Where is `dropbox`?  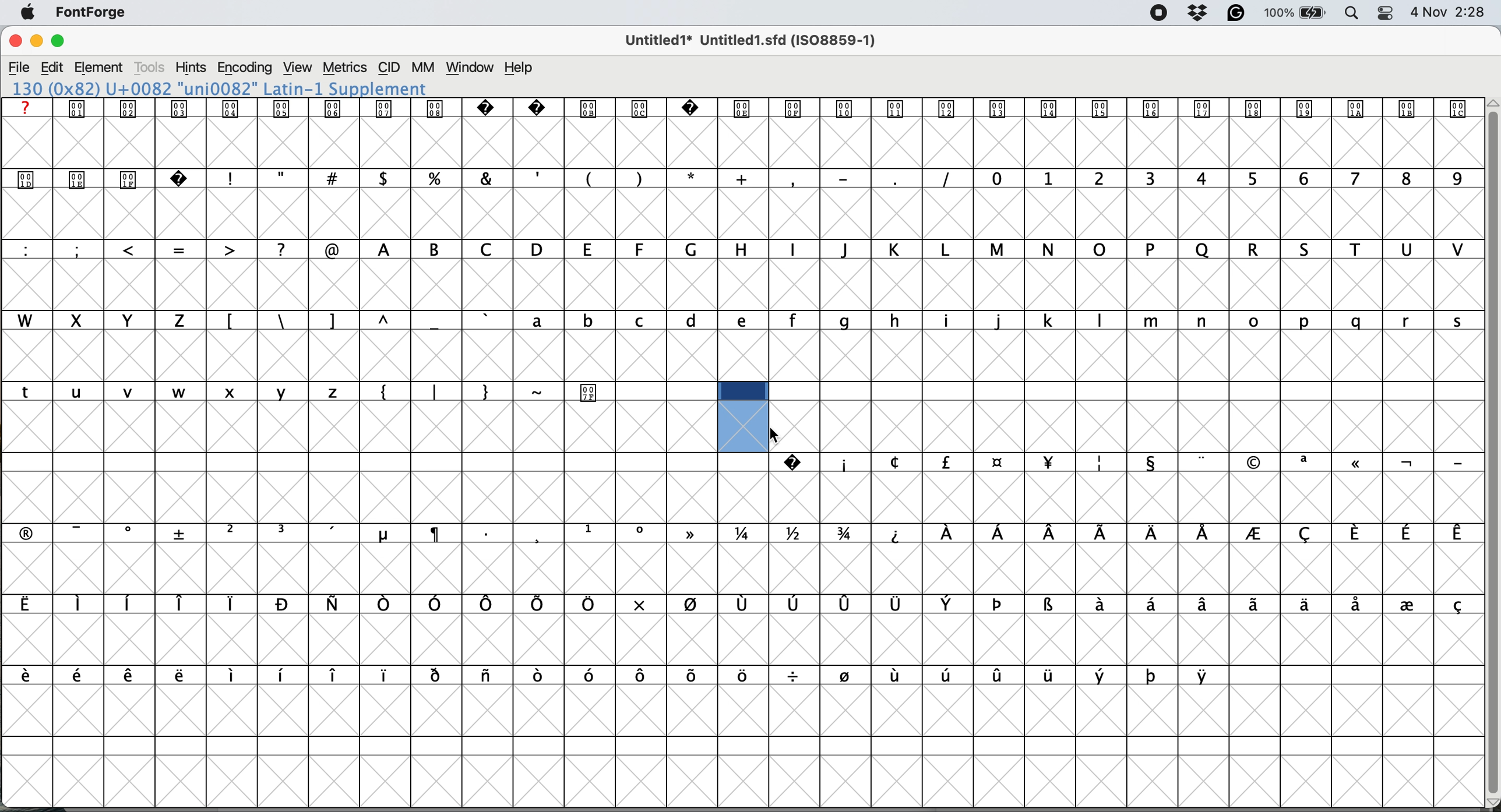
dropbox is located at coordinates (1200, 12).